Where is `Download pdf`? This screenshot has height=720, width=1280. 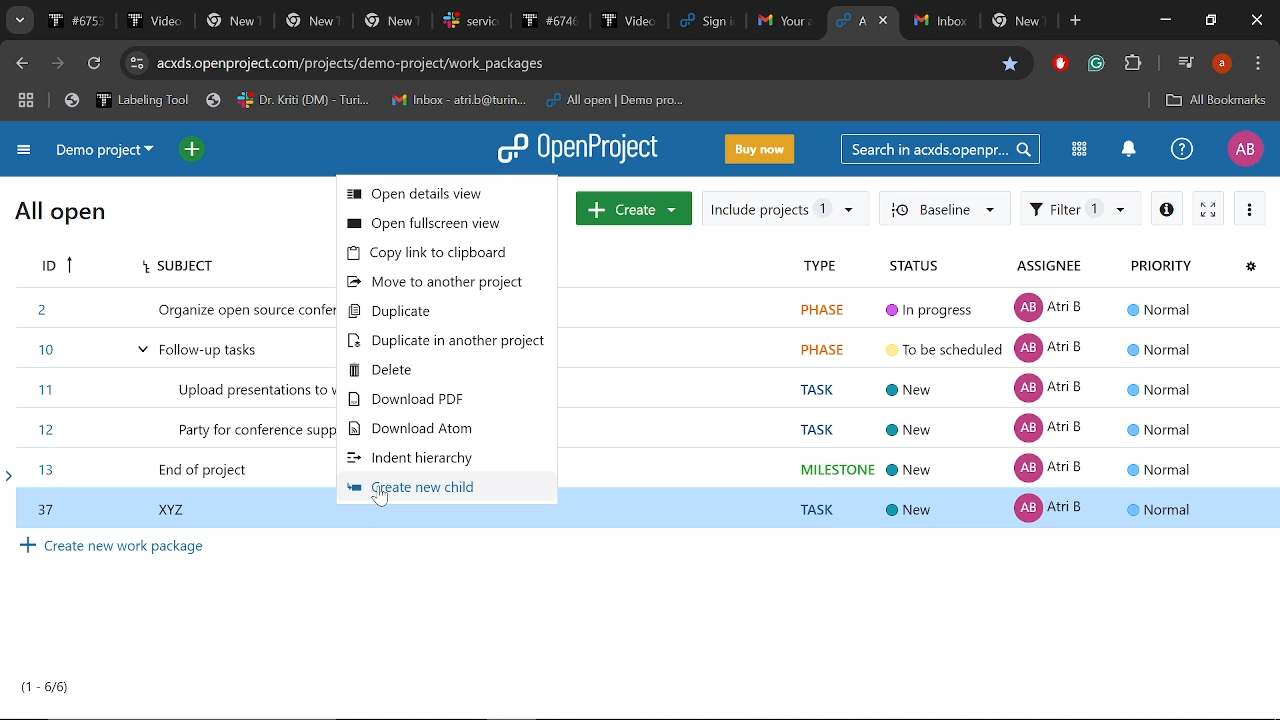
Download pdf is located at coordinates (443, 400).